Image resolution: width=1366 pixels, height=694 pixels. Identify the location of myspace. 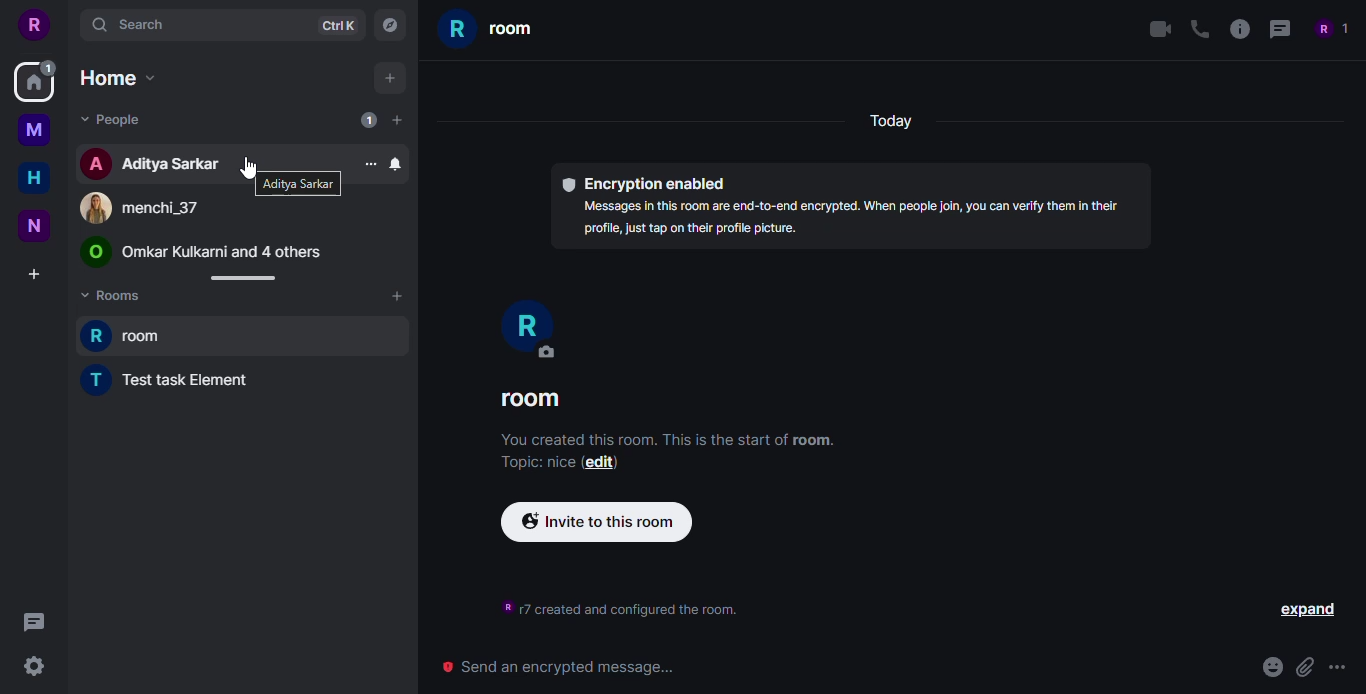
(34, 129).